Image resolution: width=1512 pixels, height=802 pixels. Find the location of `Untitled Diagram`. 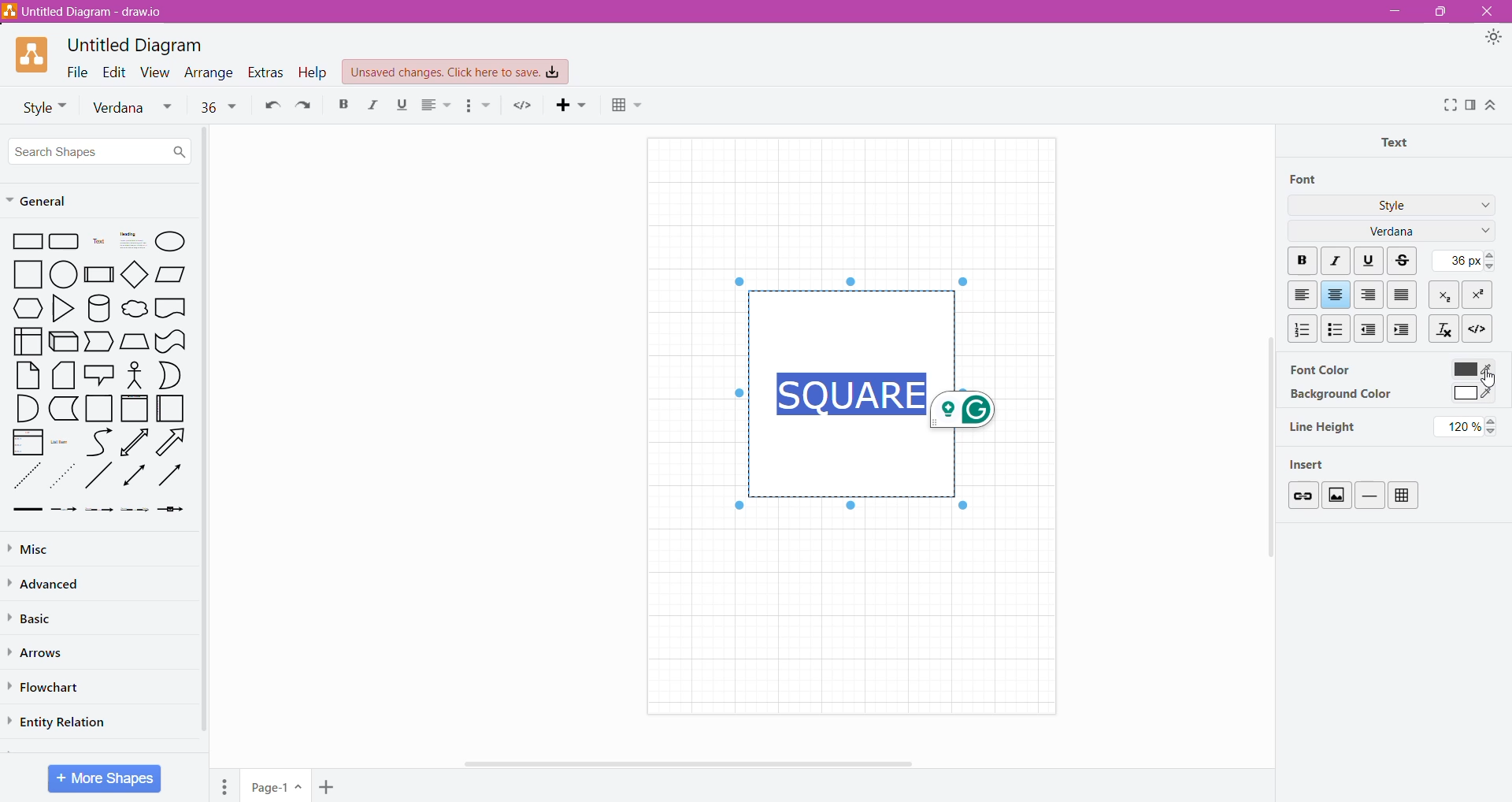

Untitled Diagram is located at coordinates (139, 45).